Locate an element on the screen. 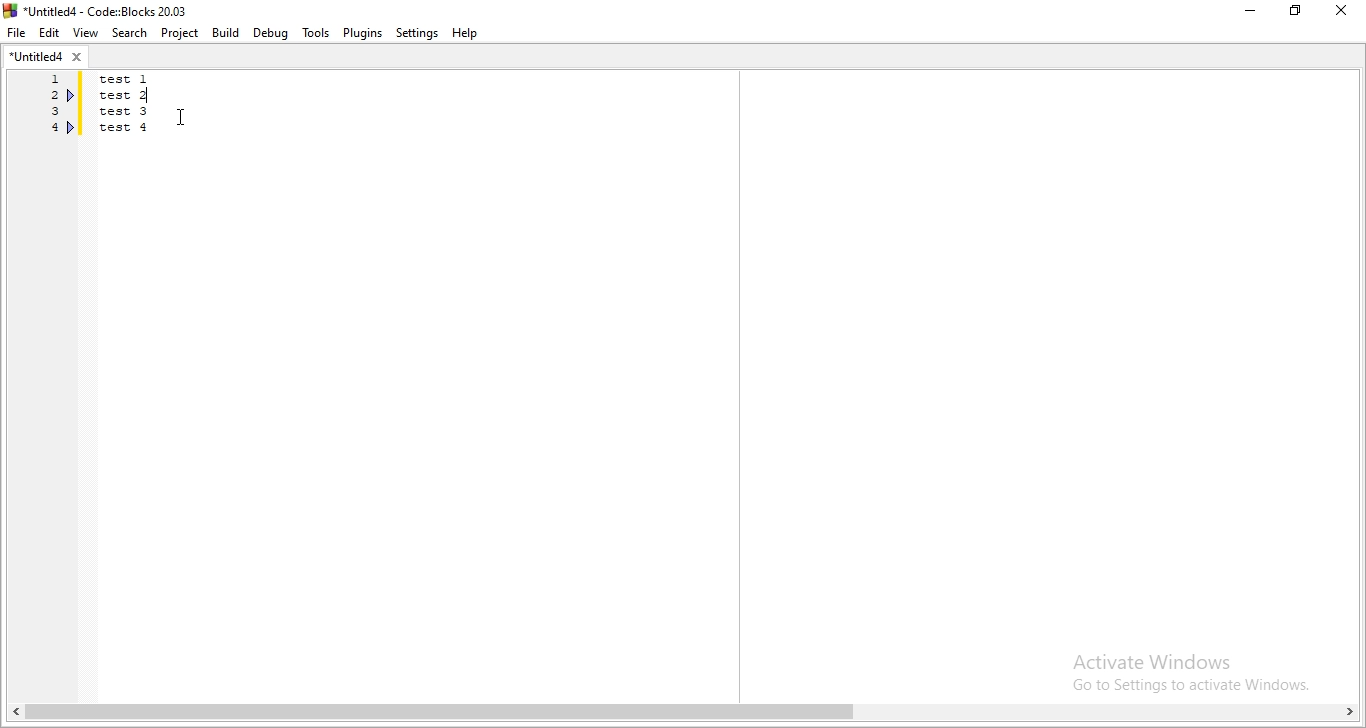 The height and width of the screenshot is (728, 1366). close is located at coordinates (1346, 12).